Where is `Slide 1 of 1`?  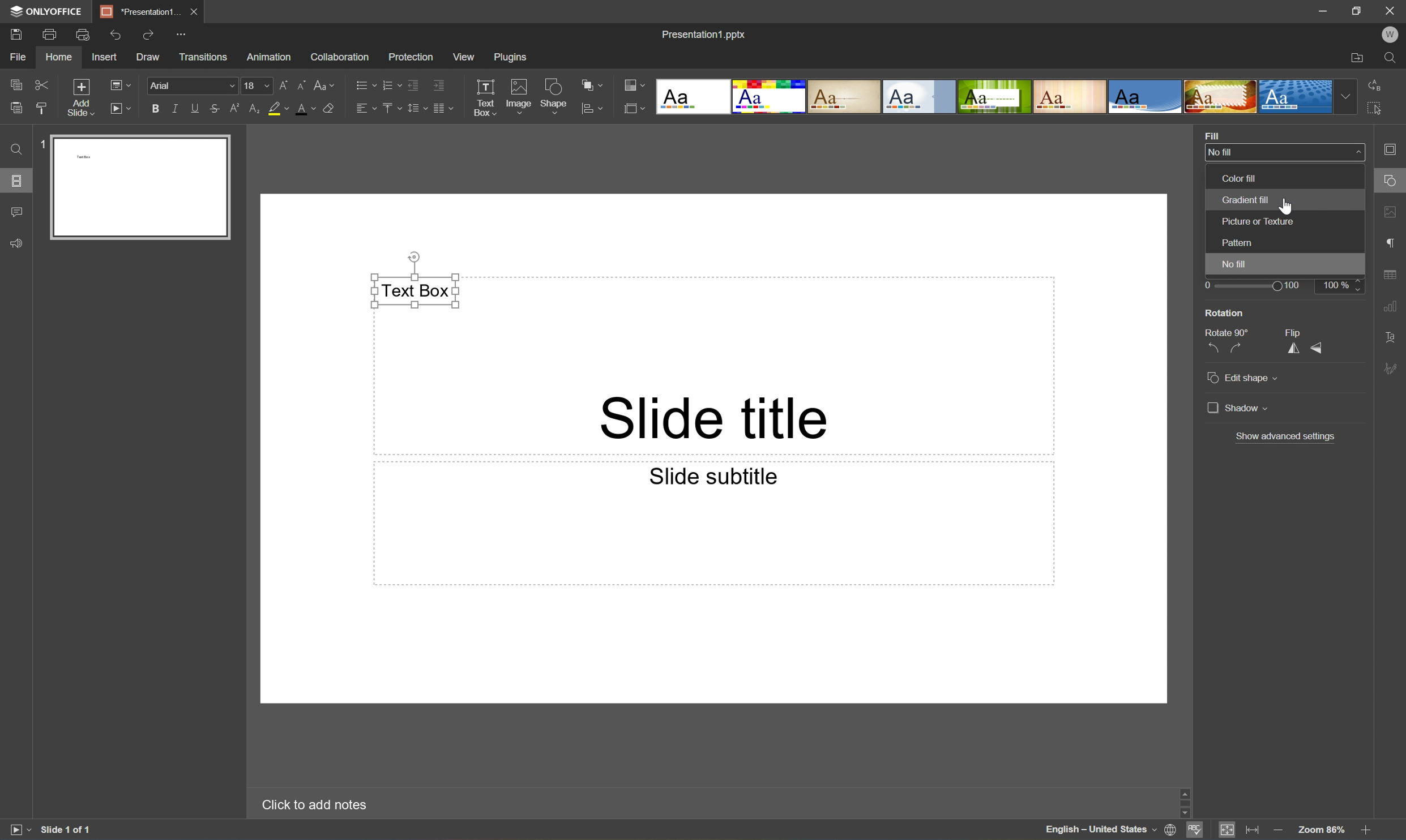
Slide 1 of 1 is located at coordinates (66, 828).